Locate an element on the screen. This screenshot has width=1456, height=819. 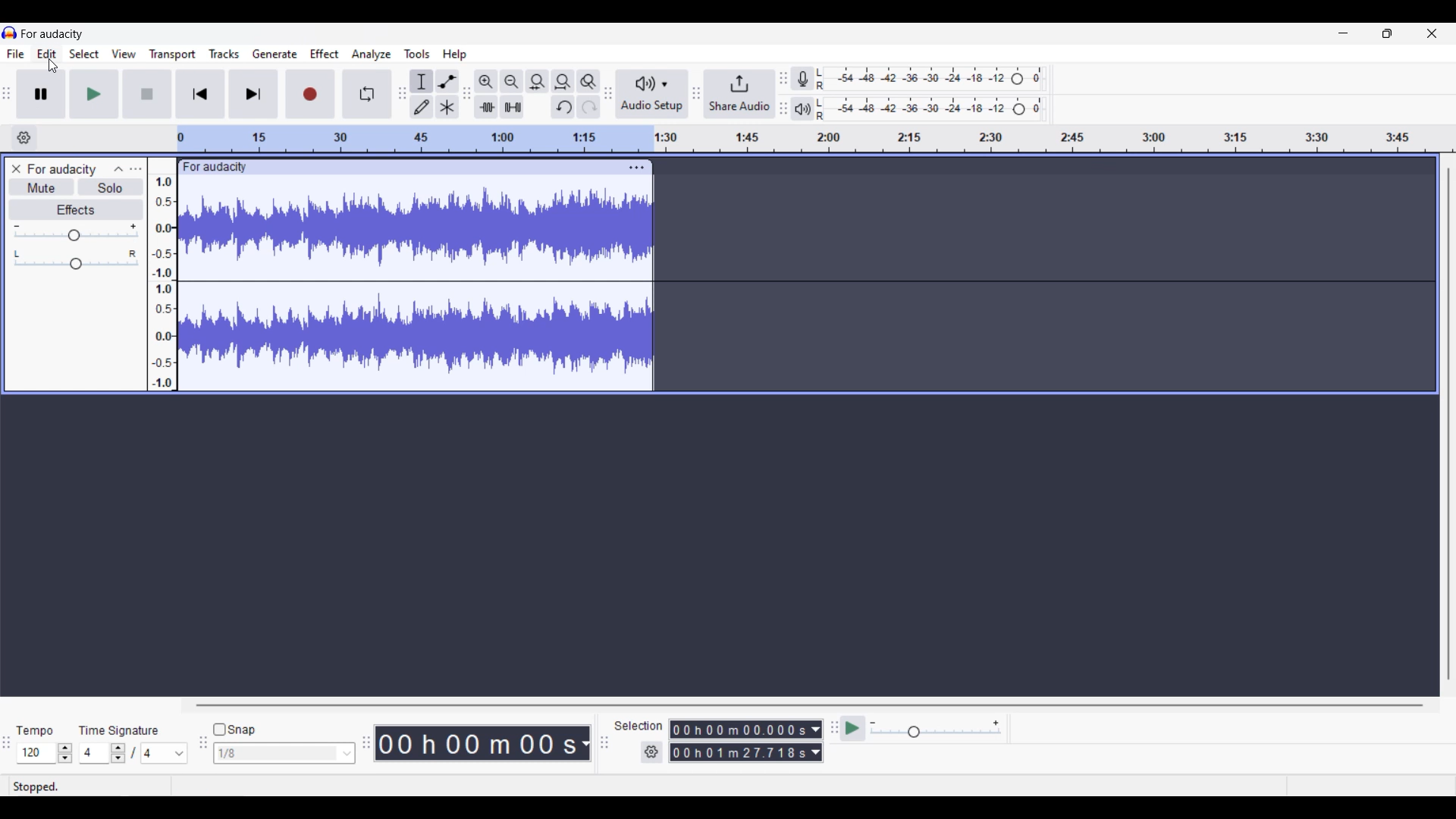
Recording level is located at coordinates (930, 79).